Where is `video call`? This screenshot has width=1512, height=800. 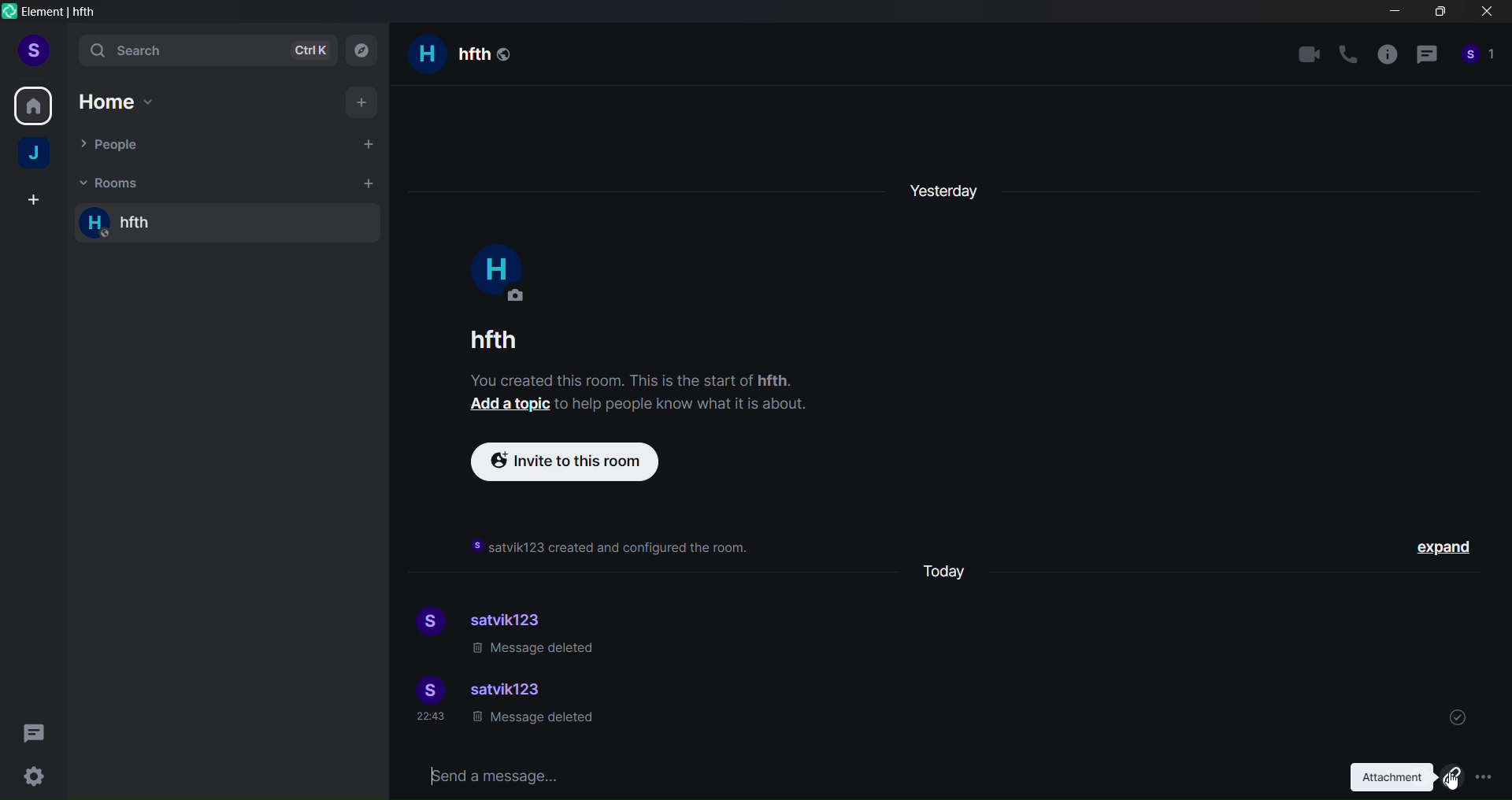 video call is located at coordinates (1309, 54).